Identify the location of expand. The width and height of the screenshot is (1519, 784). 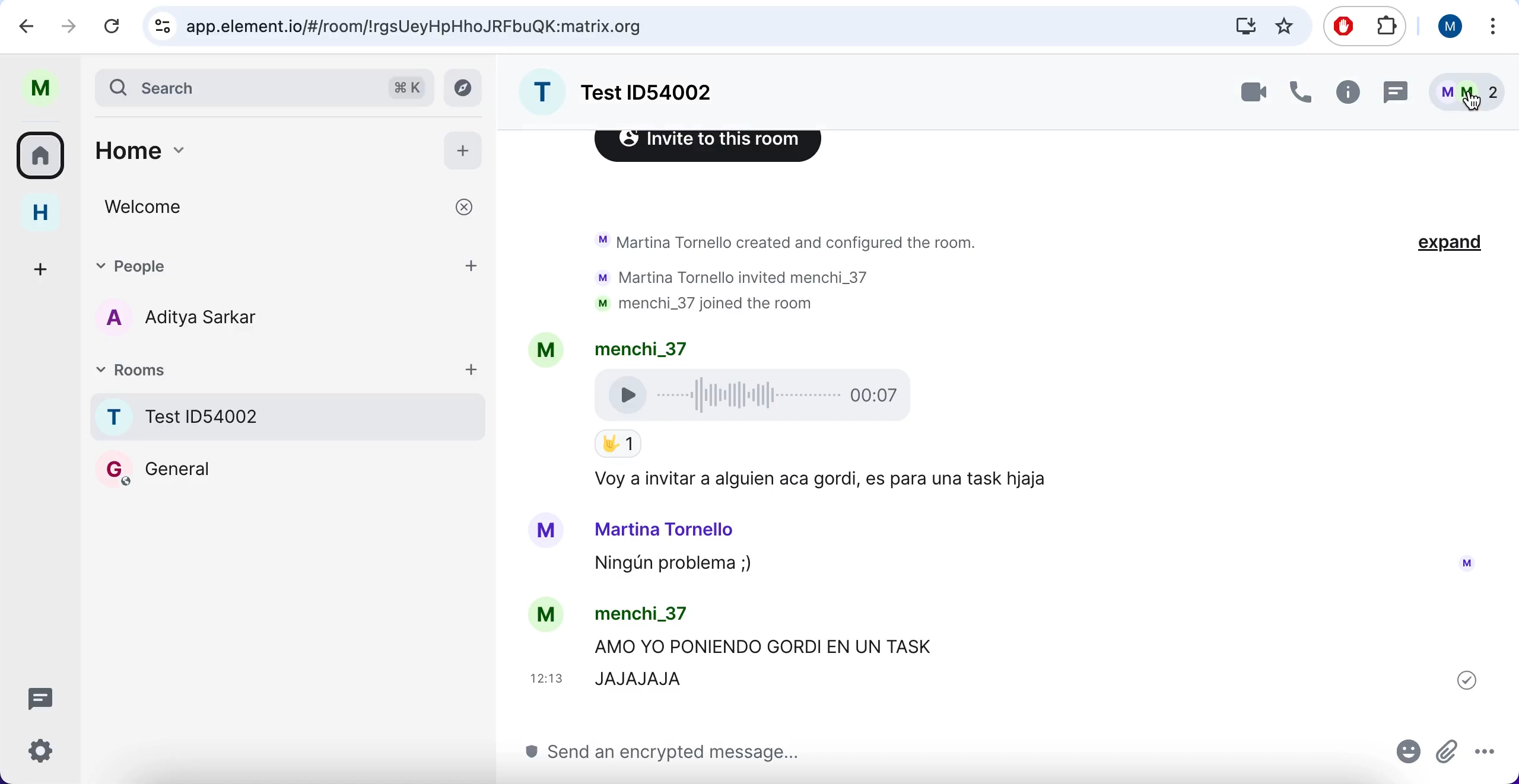
(1456, 246).